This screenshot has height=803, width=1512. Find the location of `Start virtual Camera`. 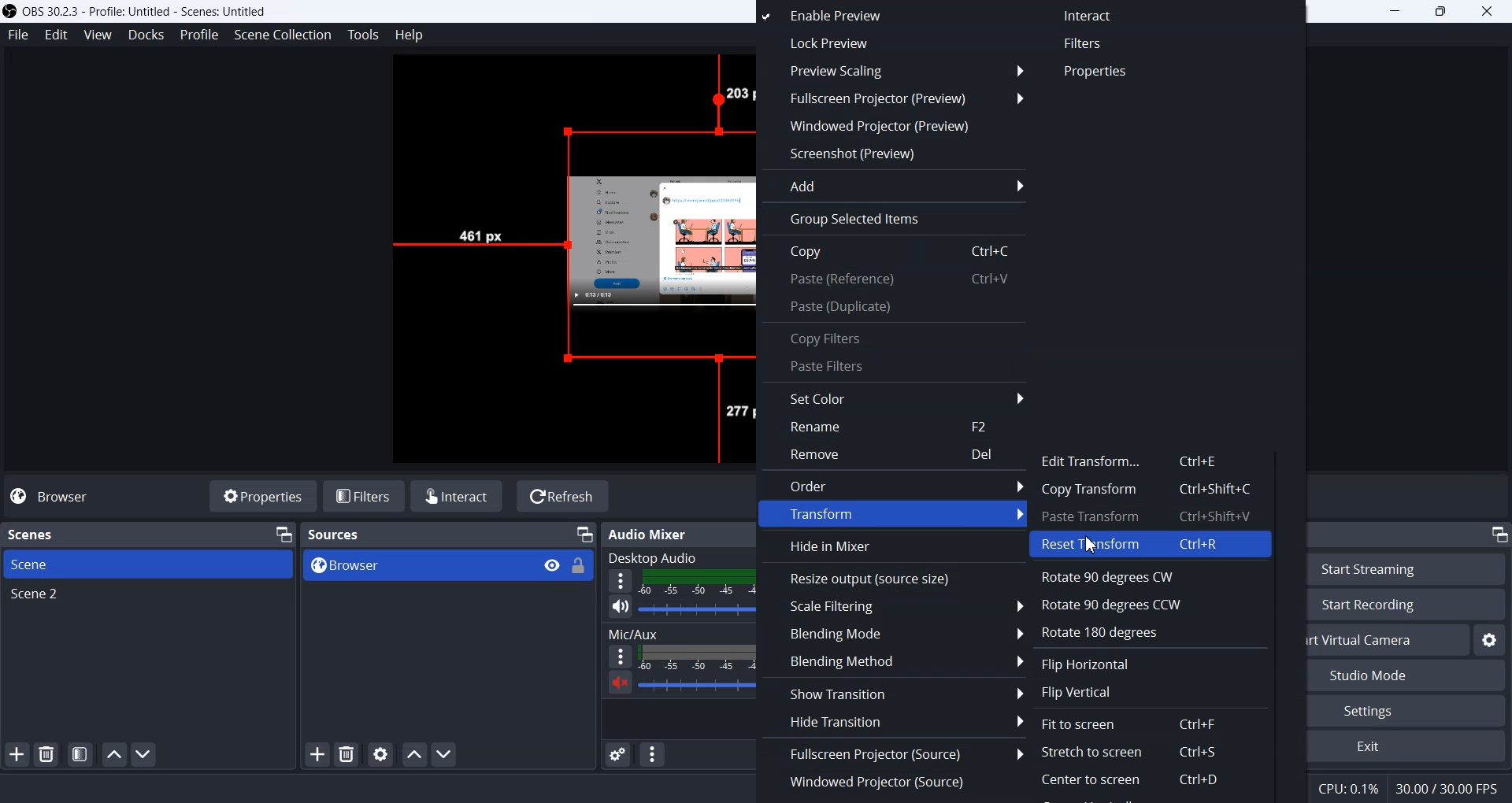

Start virtual Camera is located at coordinates (1379, 639).